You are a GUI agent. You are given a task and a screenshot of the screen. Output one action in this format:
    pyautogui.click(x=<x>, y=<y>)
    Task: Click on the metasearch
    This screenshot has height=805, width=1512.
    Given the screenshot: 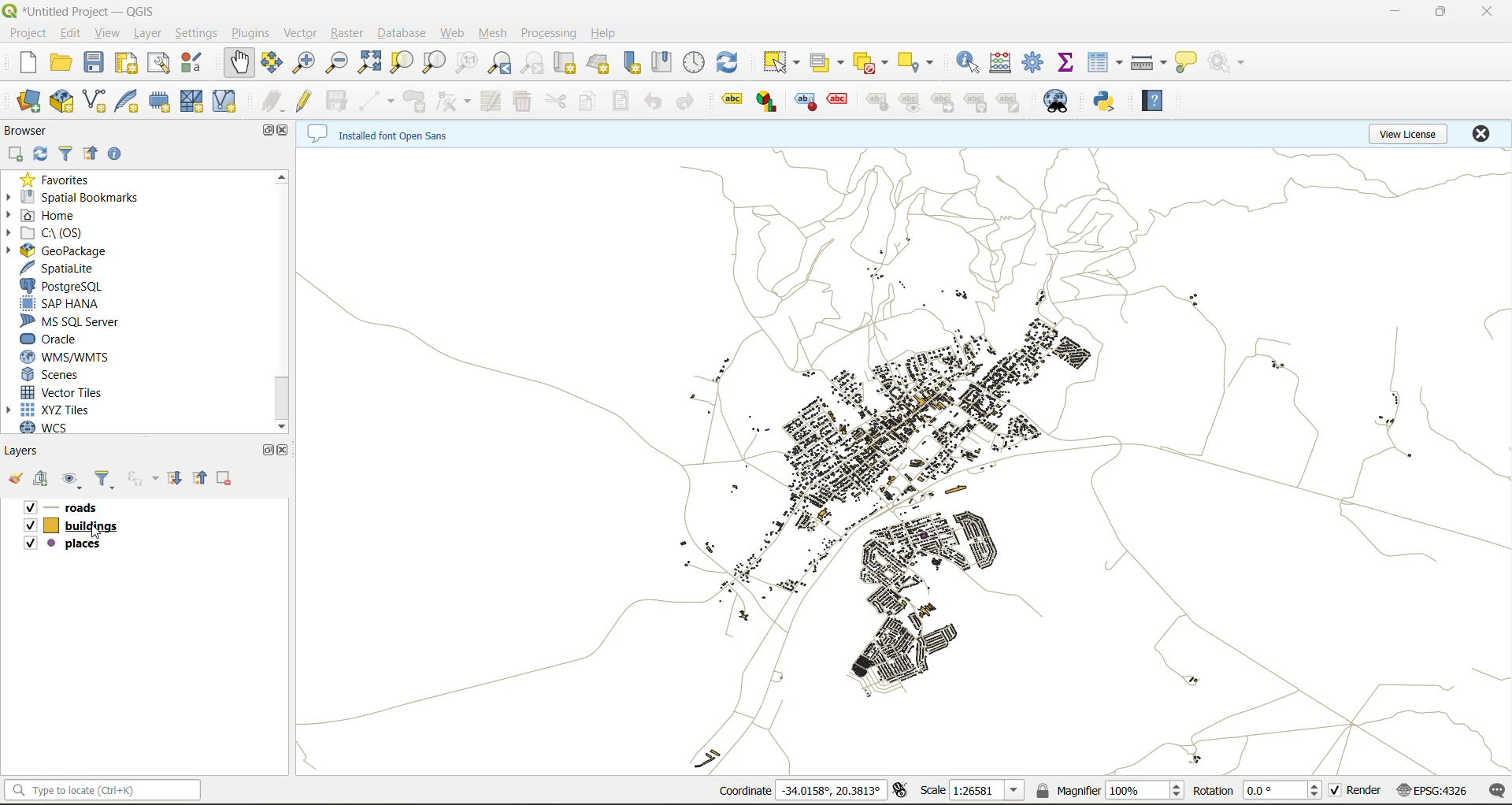 What is the action you would take?
    pyautogui.click(x=1054, y=106)
    